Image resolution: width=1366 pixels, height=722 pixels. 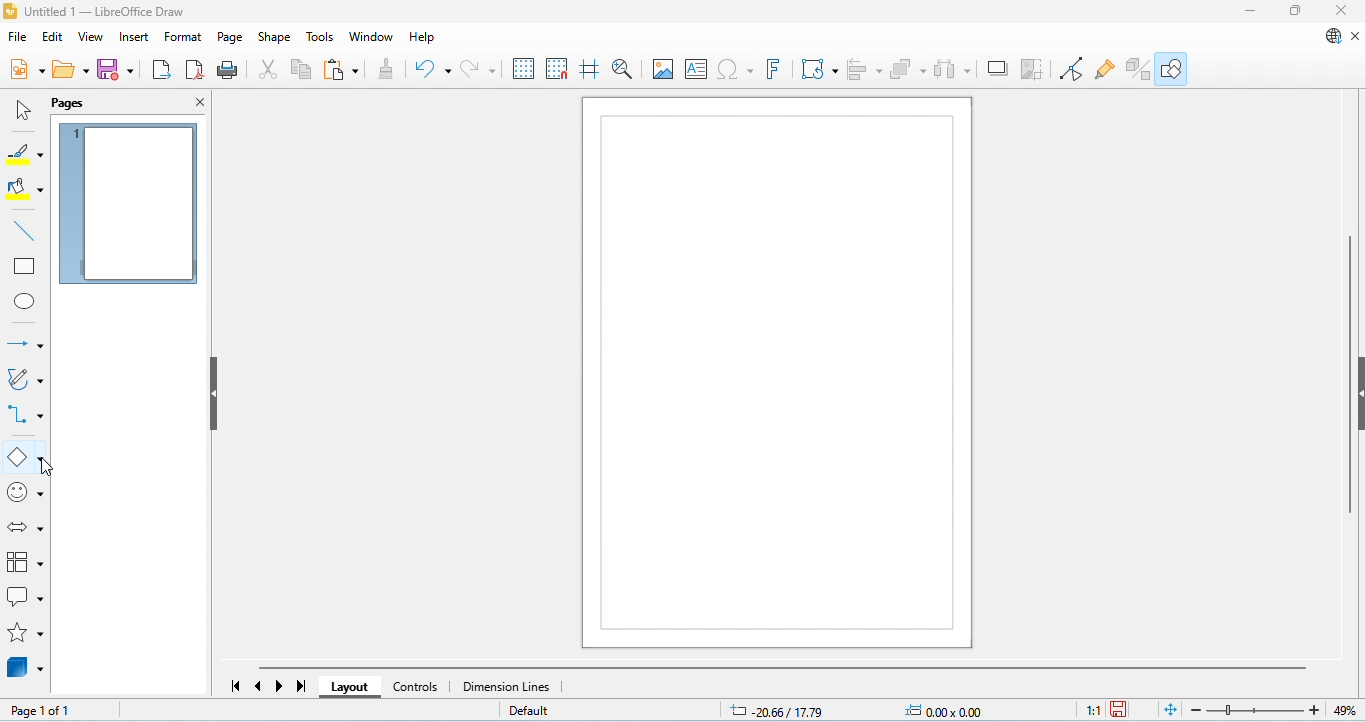 I want to click on 3D objects, so click(x=26, y=665).